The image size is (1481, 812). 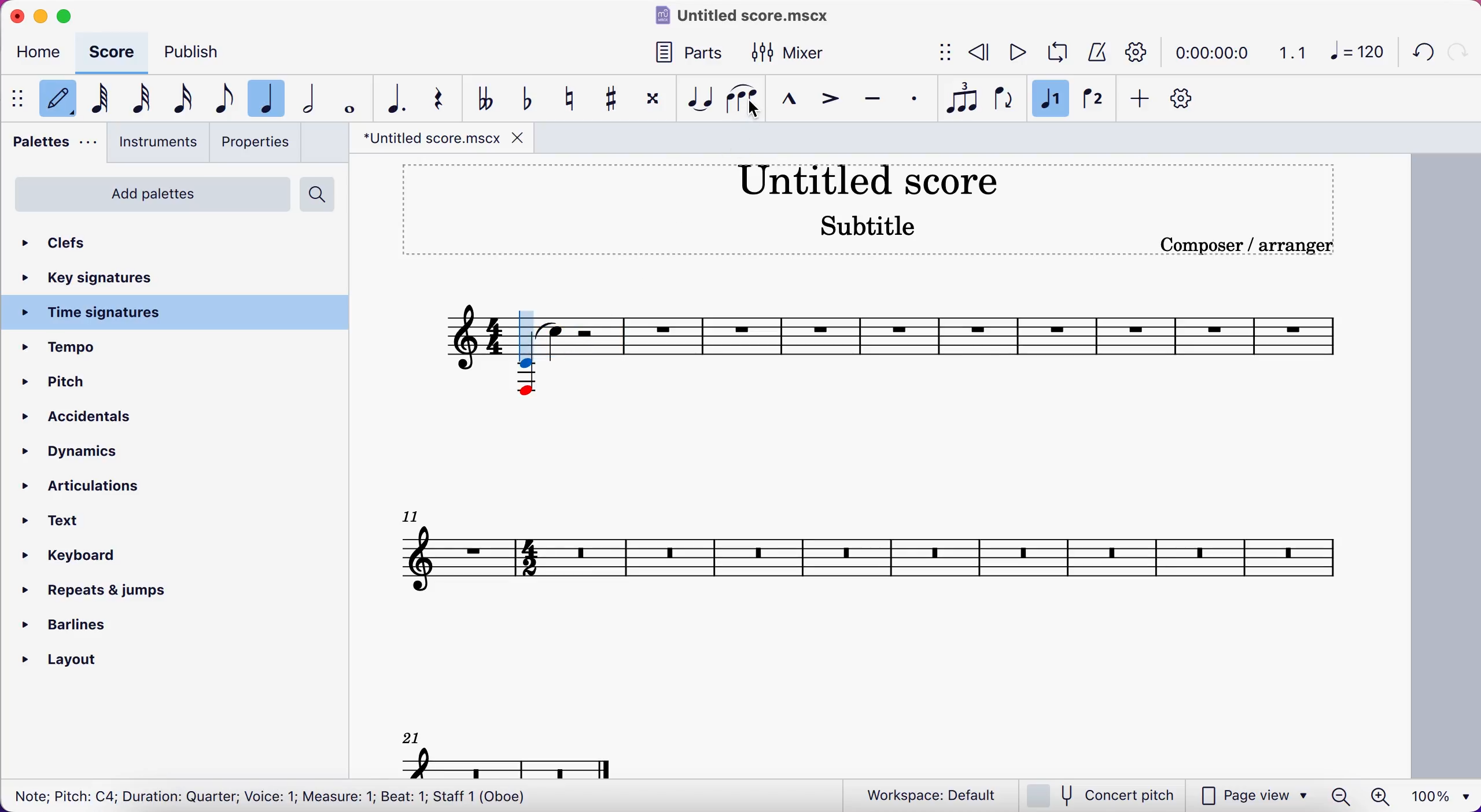 What do you see at coordinates (1355, 56) in the screenshot?
I see `120` at bounding box center [1355, 56].